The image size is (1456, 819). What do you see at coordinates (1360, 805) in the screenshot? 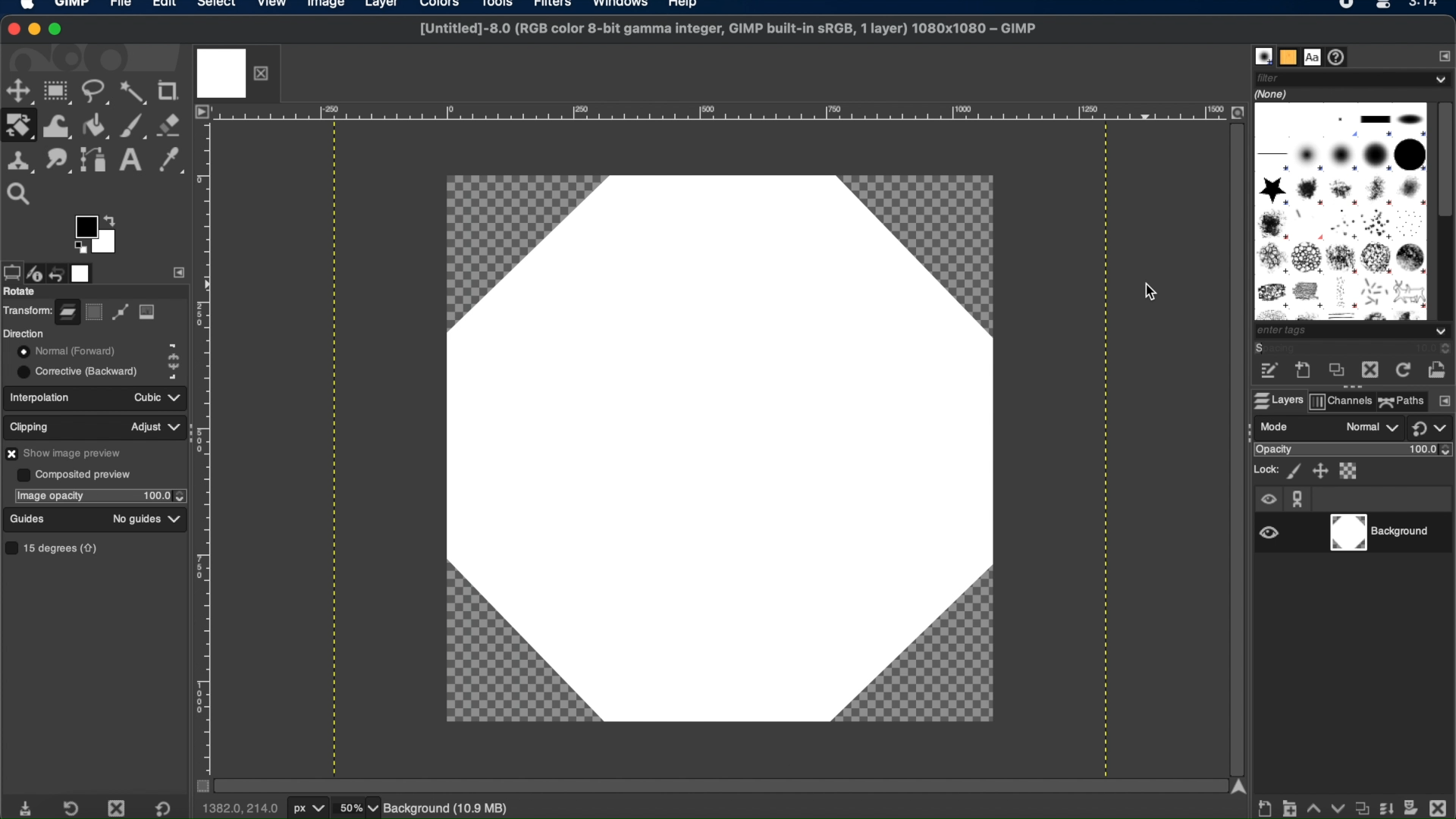
I see `duplicate properties` at bounding box center [1360, 805].